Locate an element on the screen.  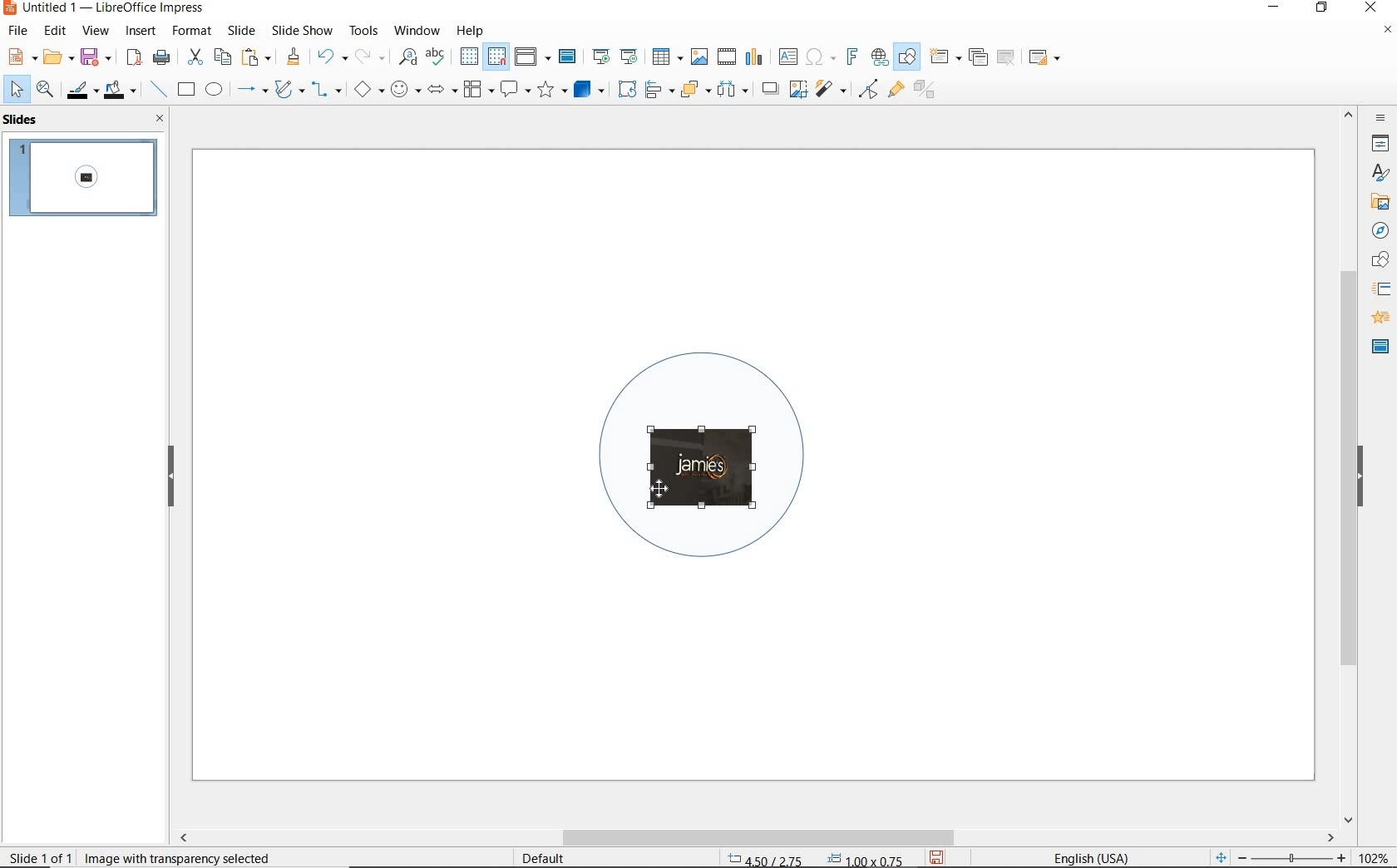
crop image is located at coordinates (797, 87).